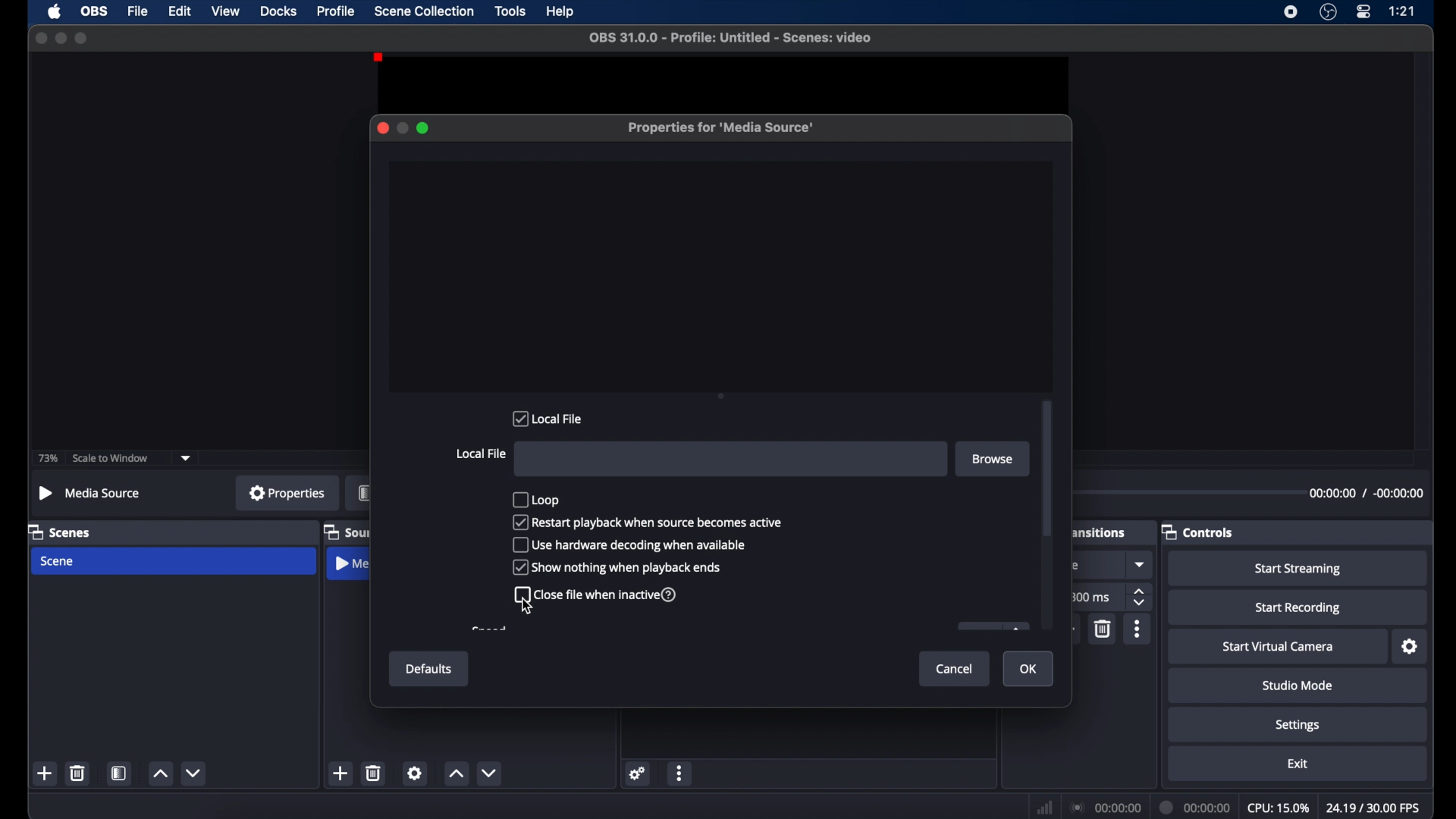  I want to click on start recording, so click(1300, 607).